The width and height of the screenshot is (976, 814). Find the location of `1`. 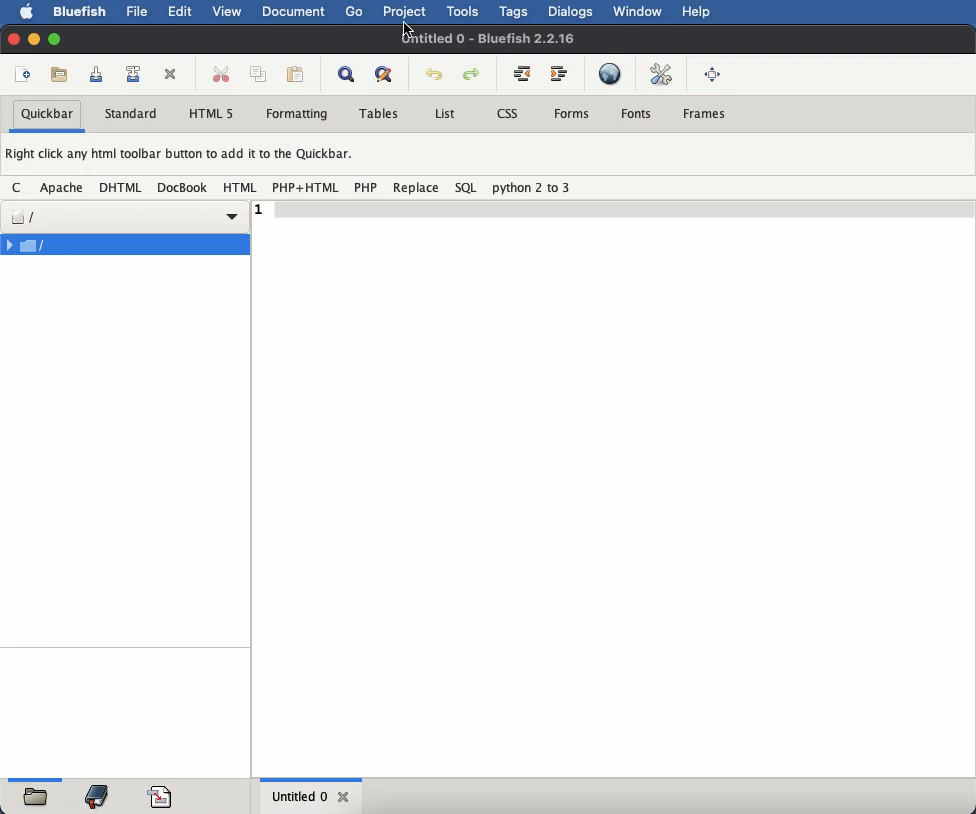

1 is located at coordinates (260, 208).